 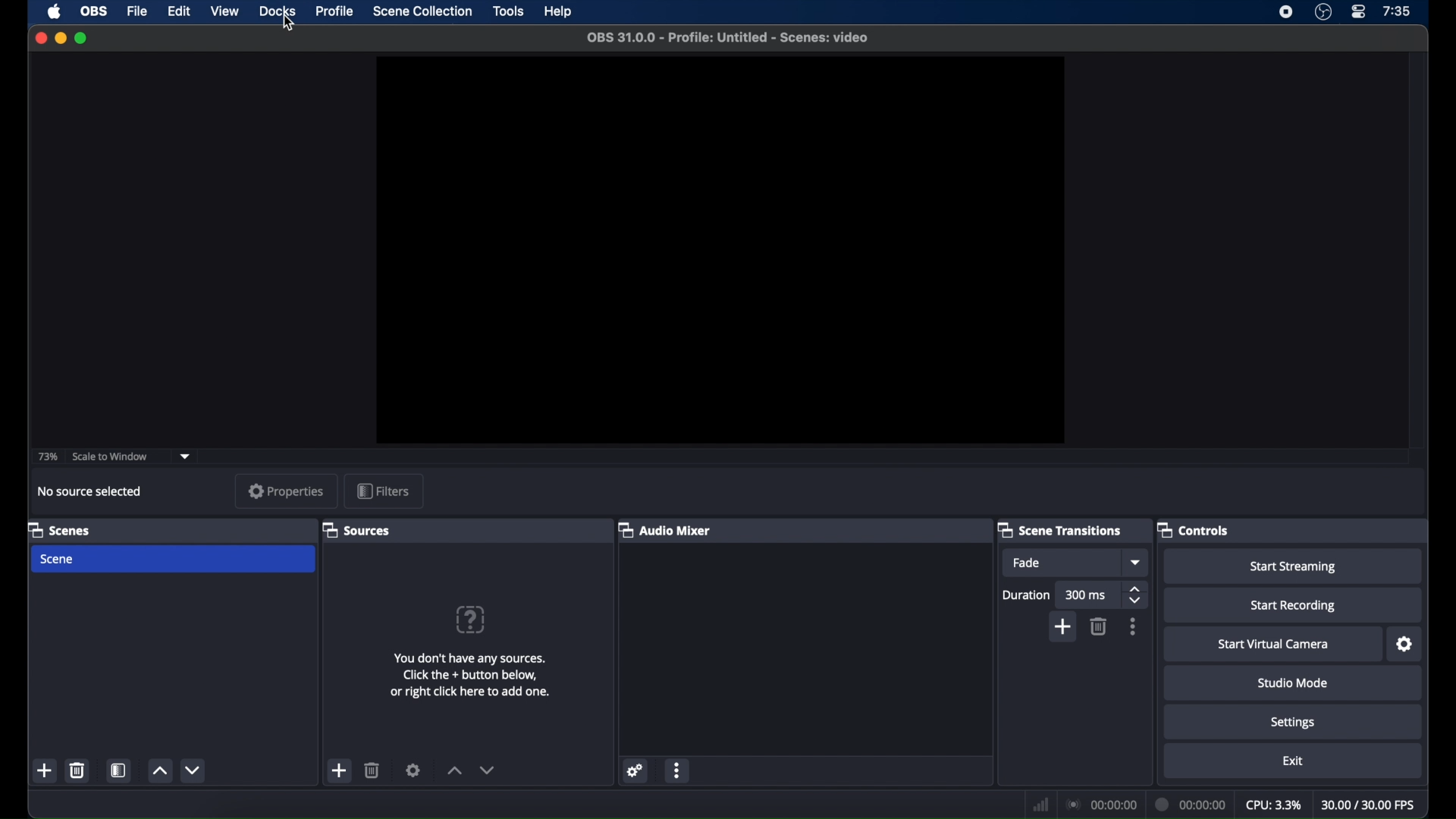 What do you see at coordinates (174, 560) in the screenshot?
I see `scene` at bounding box center [174, 560].